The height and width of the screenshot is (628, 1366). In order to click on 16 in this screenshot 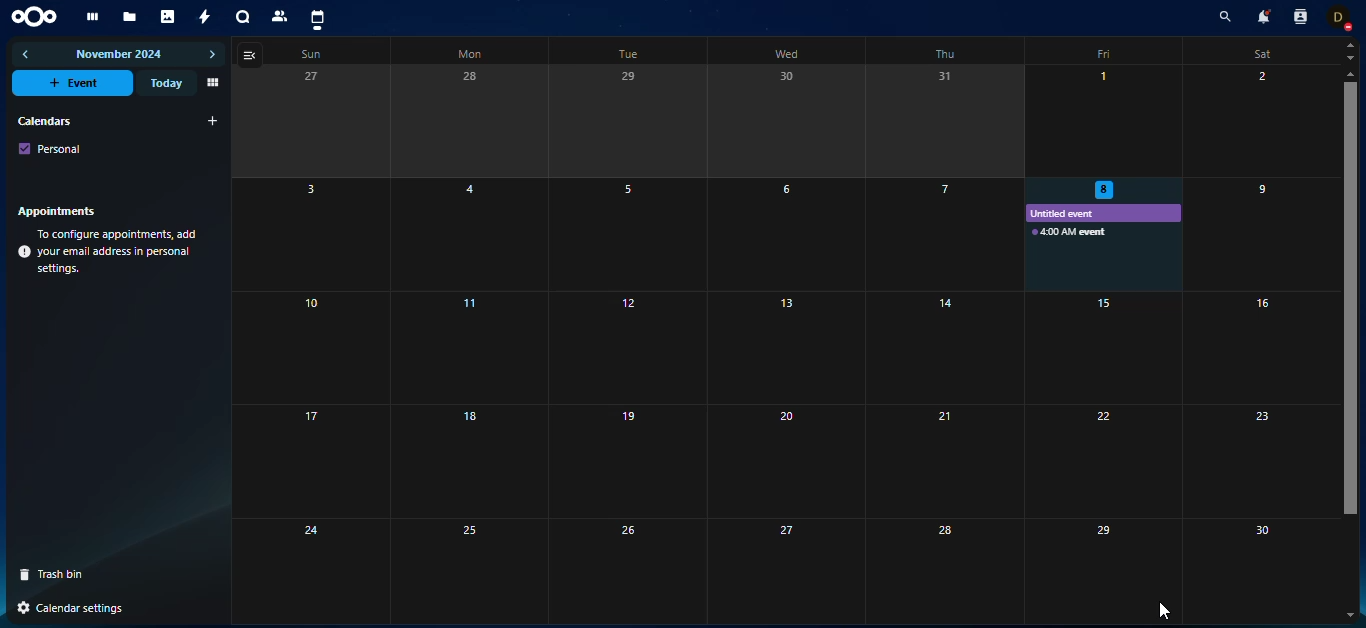, I will do `click(1258, 348)`.